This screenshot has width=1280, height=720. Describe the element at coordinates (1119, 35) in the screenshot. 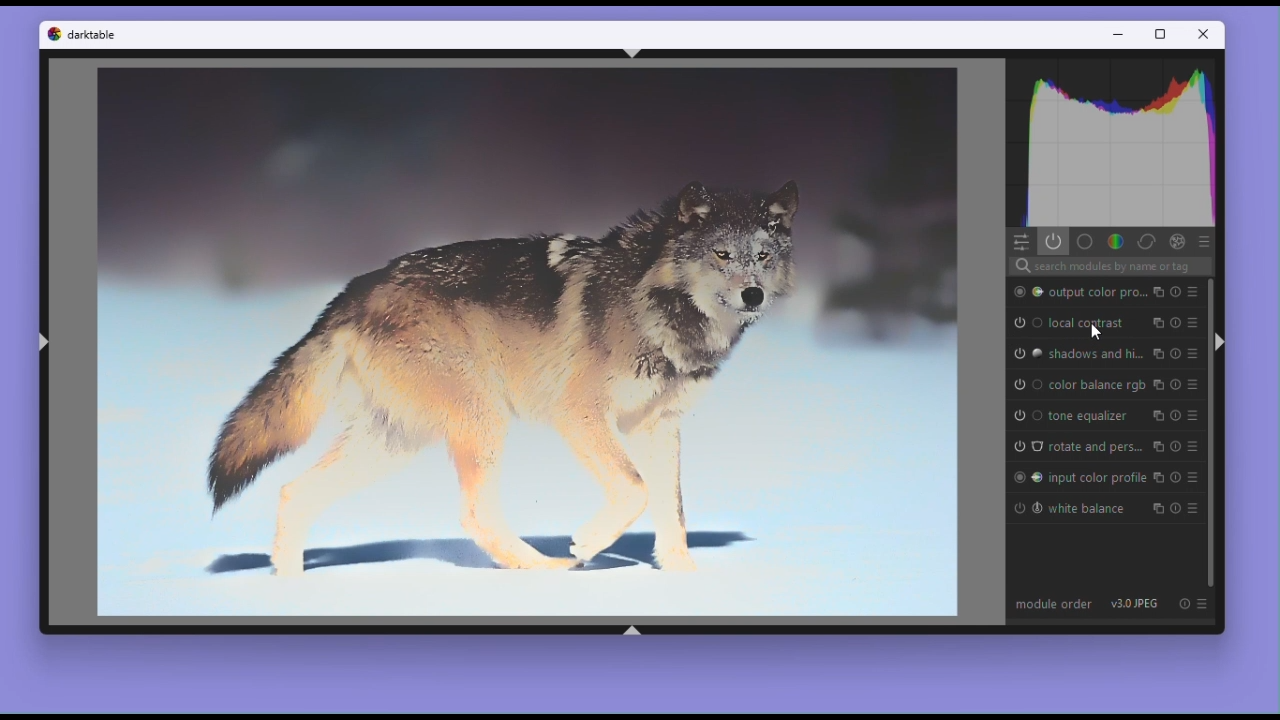

I see `Minimize` at that location.